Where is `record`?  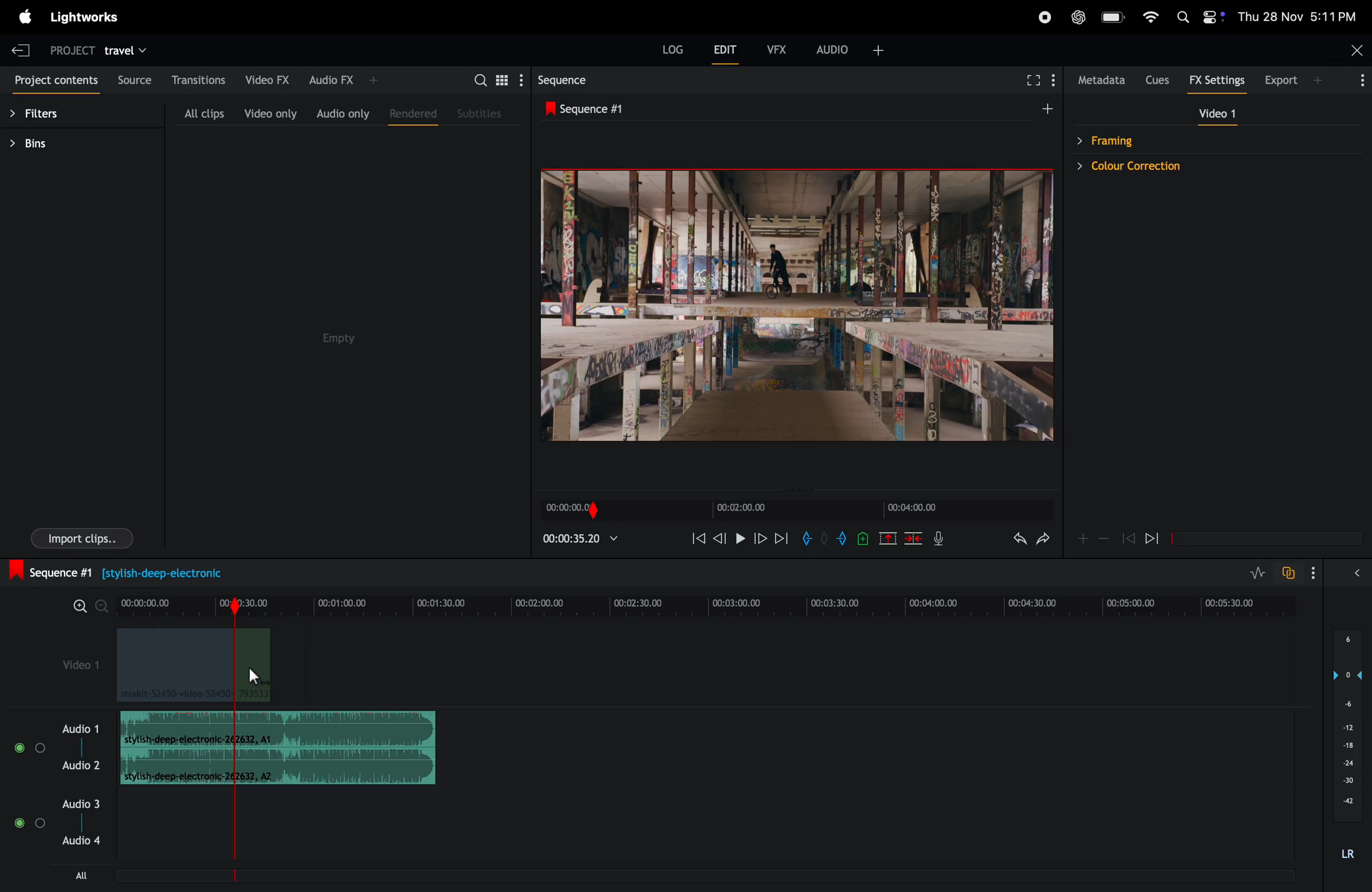
record is located at coordinates (1044, 18).